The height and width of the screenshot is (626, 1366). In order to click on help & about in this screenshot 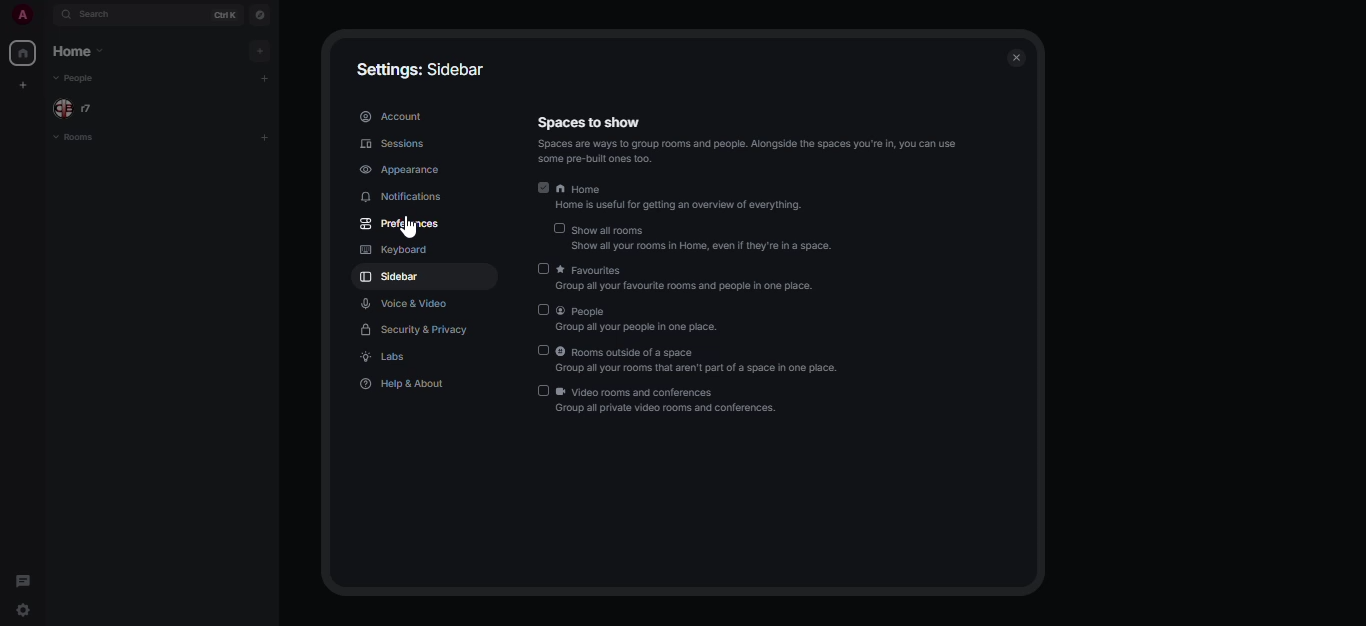, I will do `click(402, 386)`.